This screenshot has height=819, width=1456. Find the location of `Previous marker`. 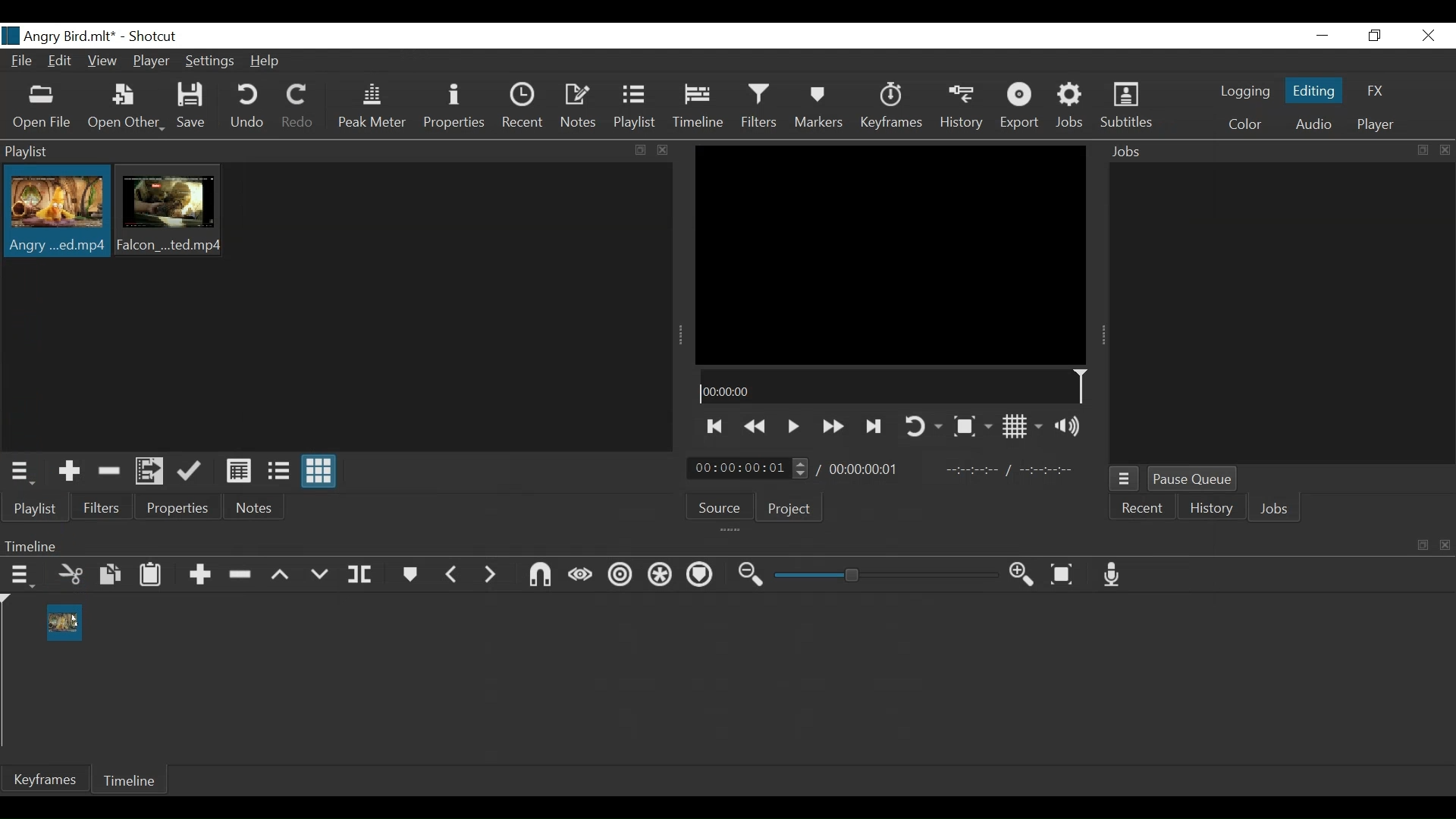

Previous marker is located at coordinates (452, 576).